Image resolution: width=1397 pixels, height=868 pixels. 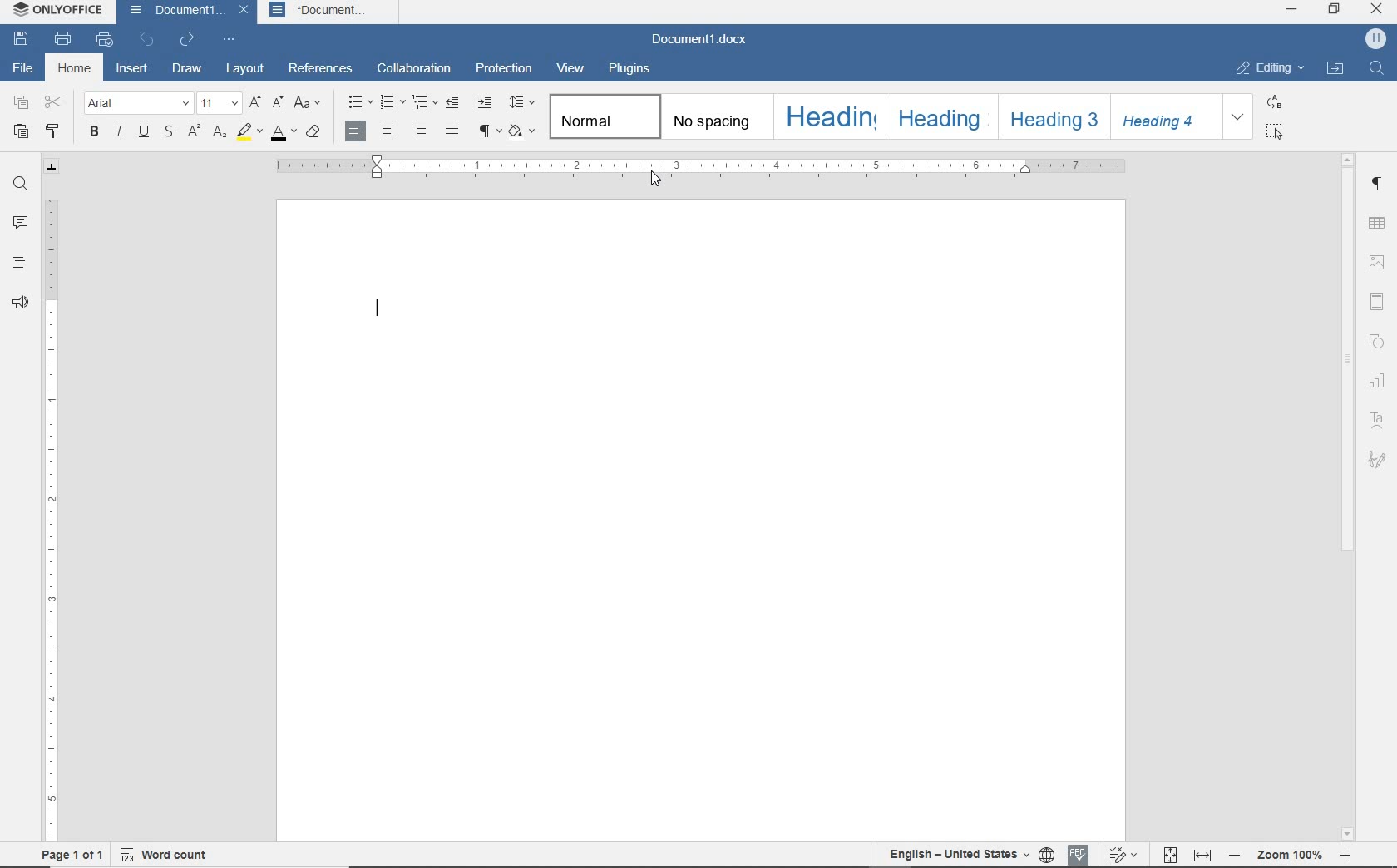 What do you see at coordinates (23, 68) in the screenshot?
I see `FILE` at bounding box center [23, 68].